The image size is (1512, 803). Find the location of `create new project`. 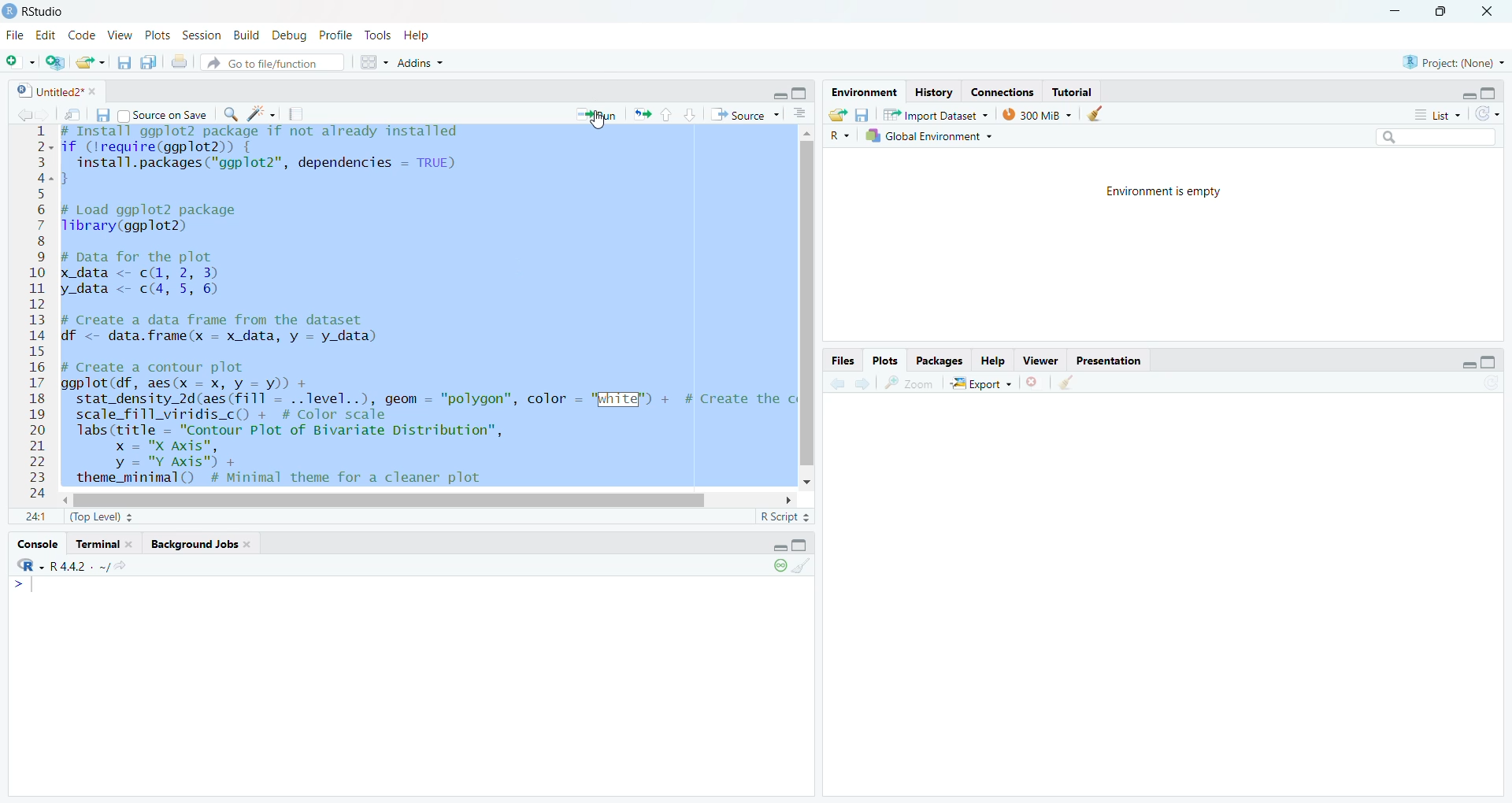

create new project is located at coordinates (53, 61).